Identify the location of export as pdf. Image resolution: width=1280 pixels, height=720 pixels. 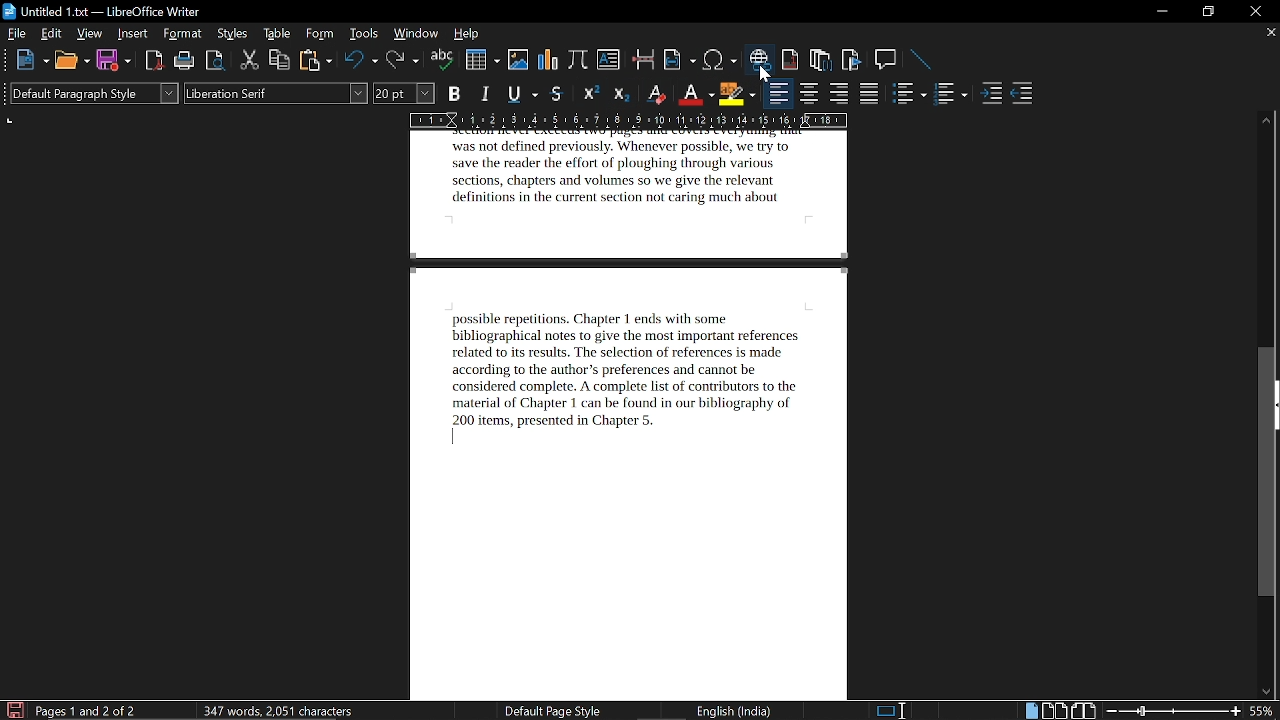
(150, 62).